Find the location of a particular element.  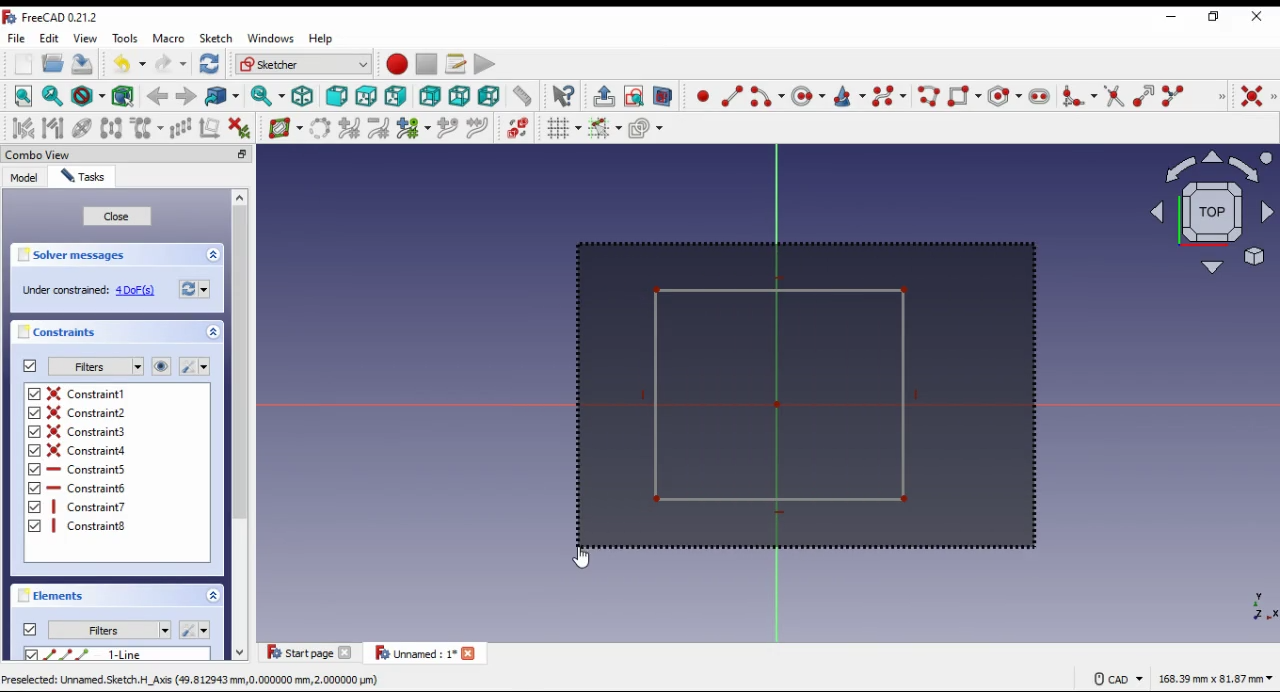

workbench selection is located at coordinates (304, 64).